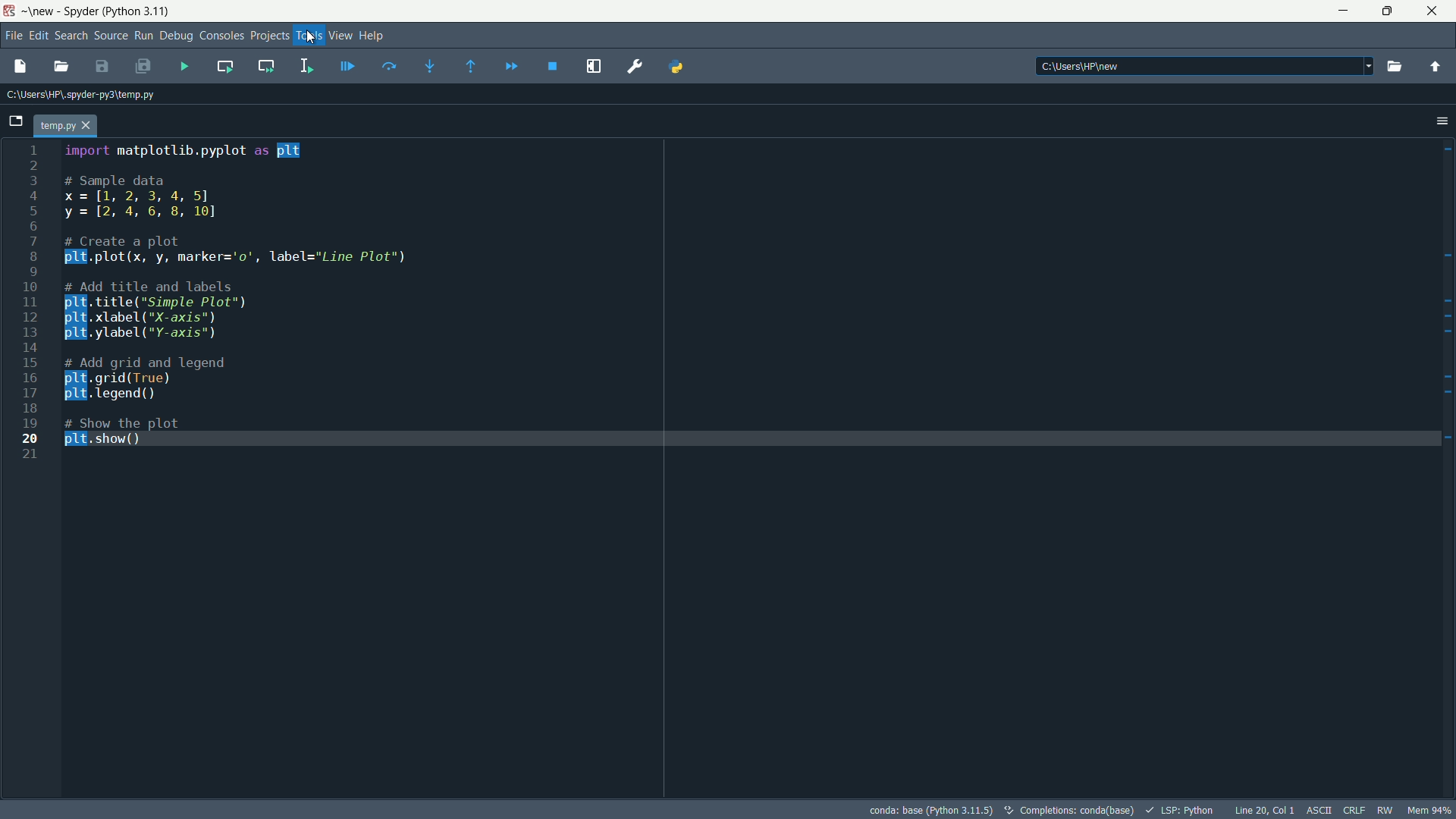  Describe the element at coordinates (1181, 811) in the screenshot. I see `LSP:Python` at that location.